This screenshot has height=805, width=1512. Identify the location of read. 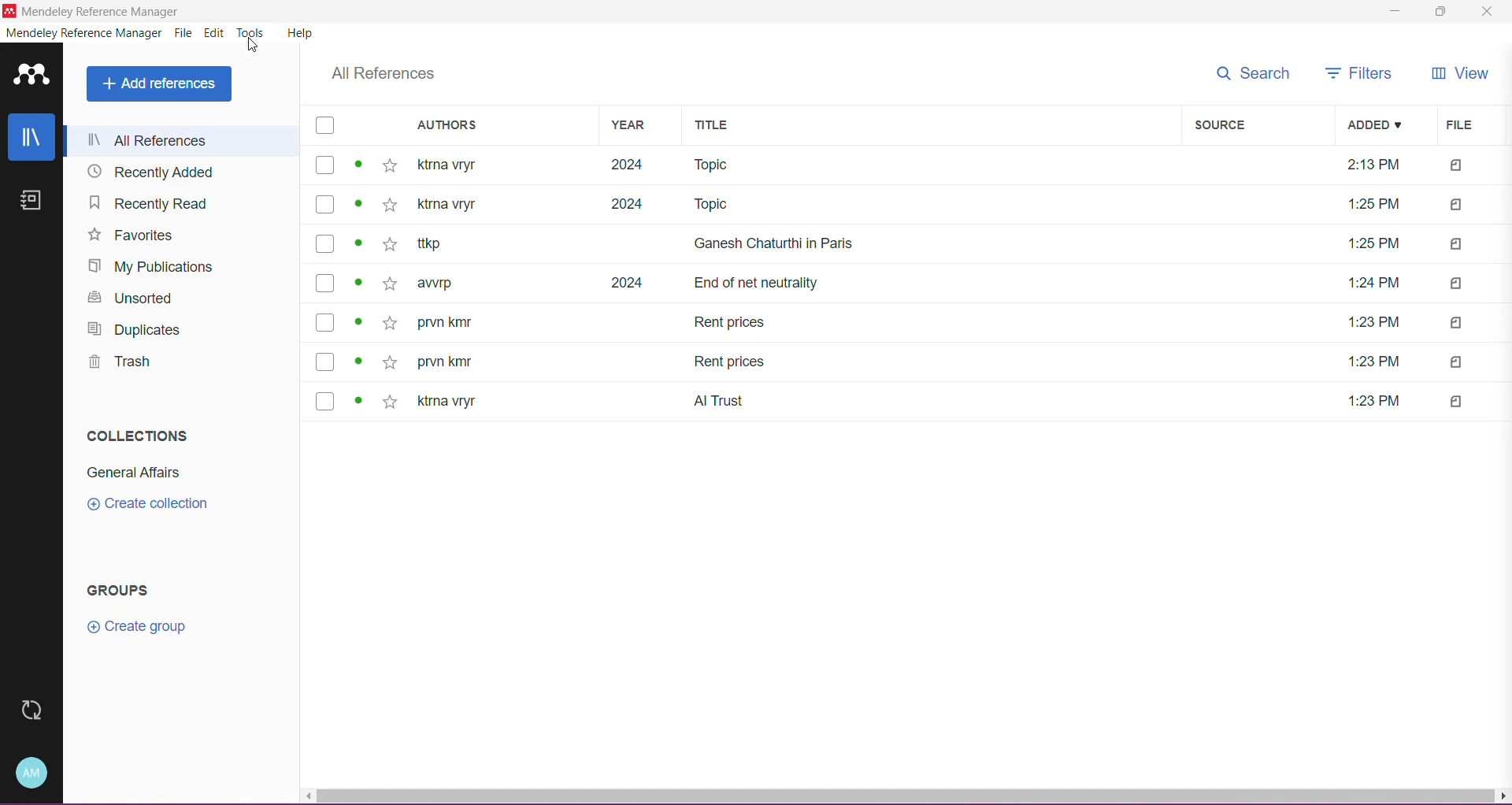
(360, 208).